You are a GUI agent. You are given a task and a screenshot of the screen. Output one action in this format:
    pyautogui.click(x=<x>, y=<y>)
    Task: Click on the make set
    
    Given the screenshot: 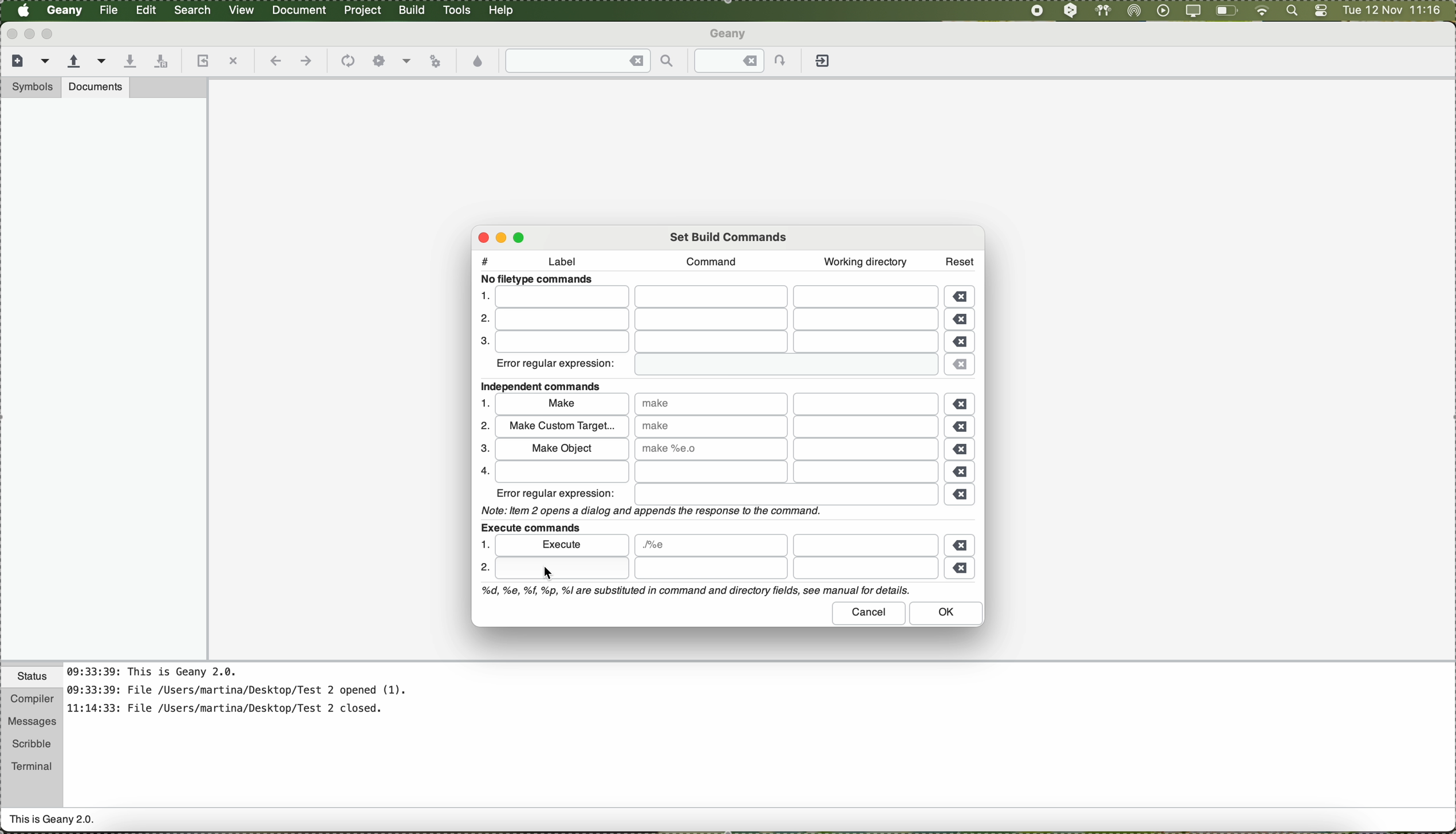 What is the action you would take?
    pyautogui.click(x=710, y=449)
    